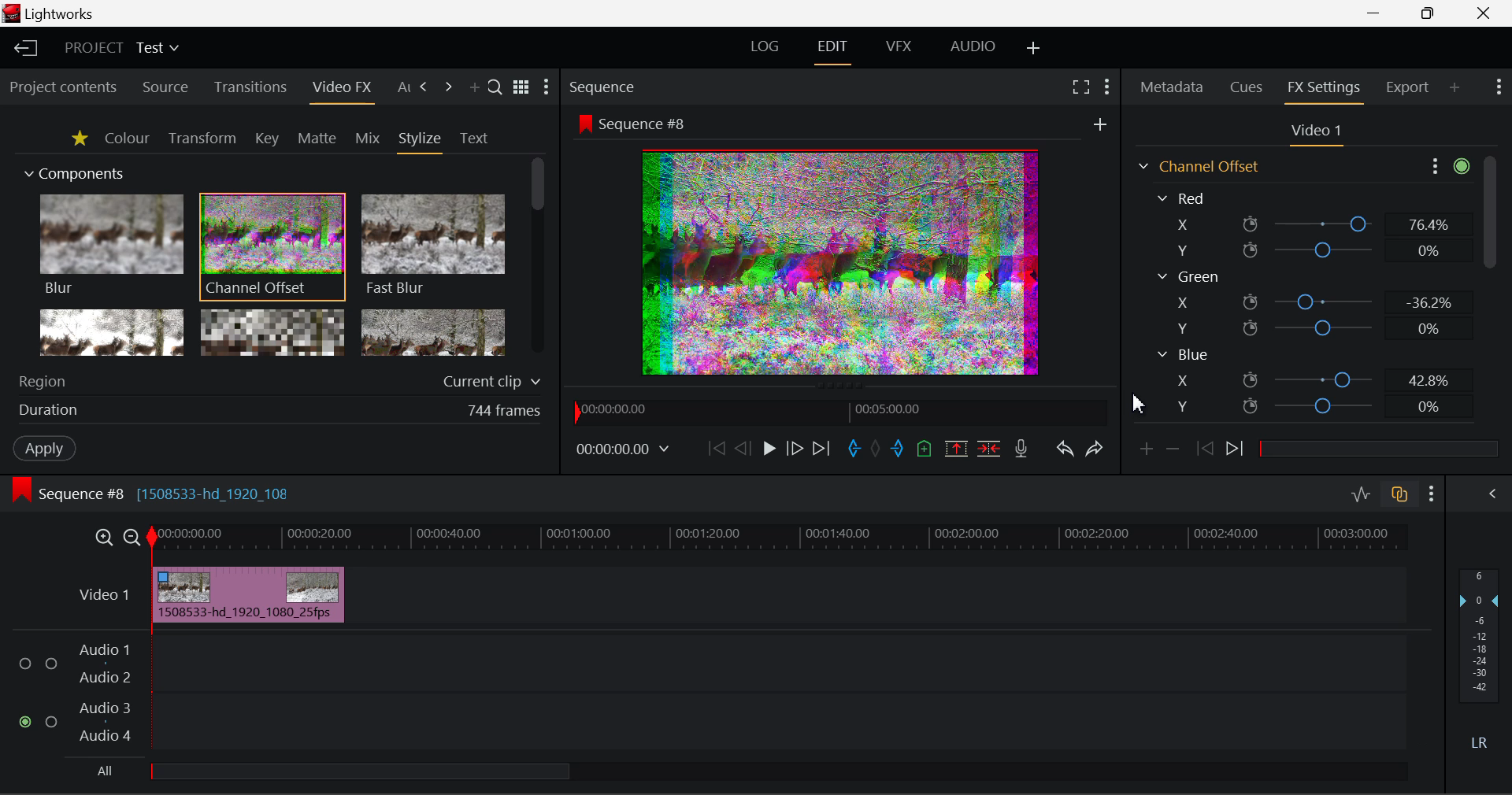  I want to click on Previous keyframe, so click(1206, 449).